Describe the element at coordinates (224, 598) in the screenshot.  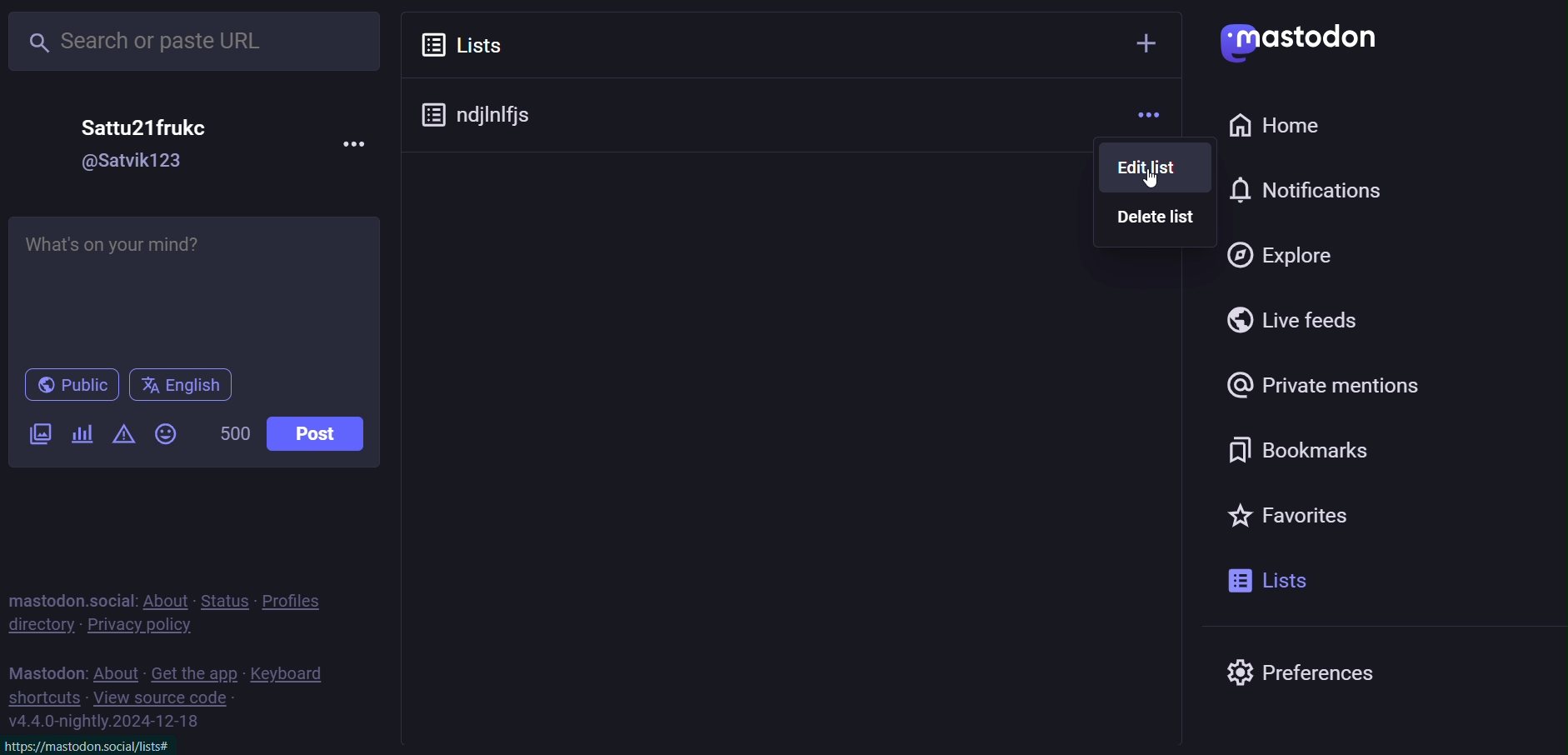
I see `status` at that location.